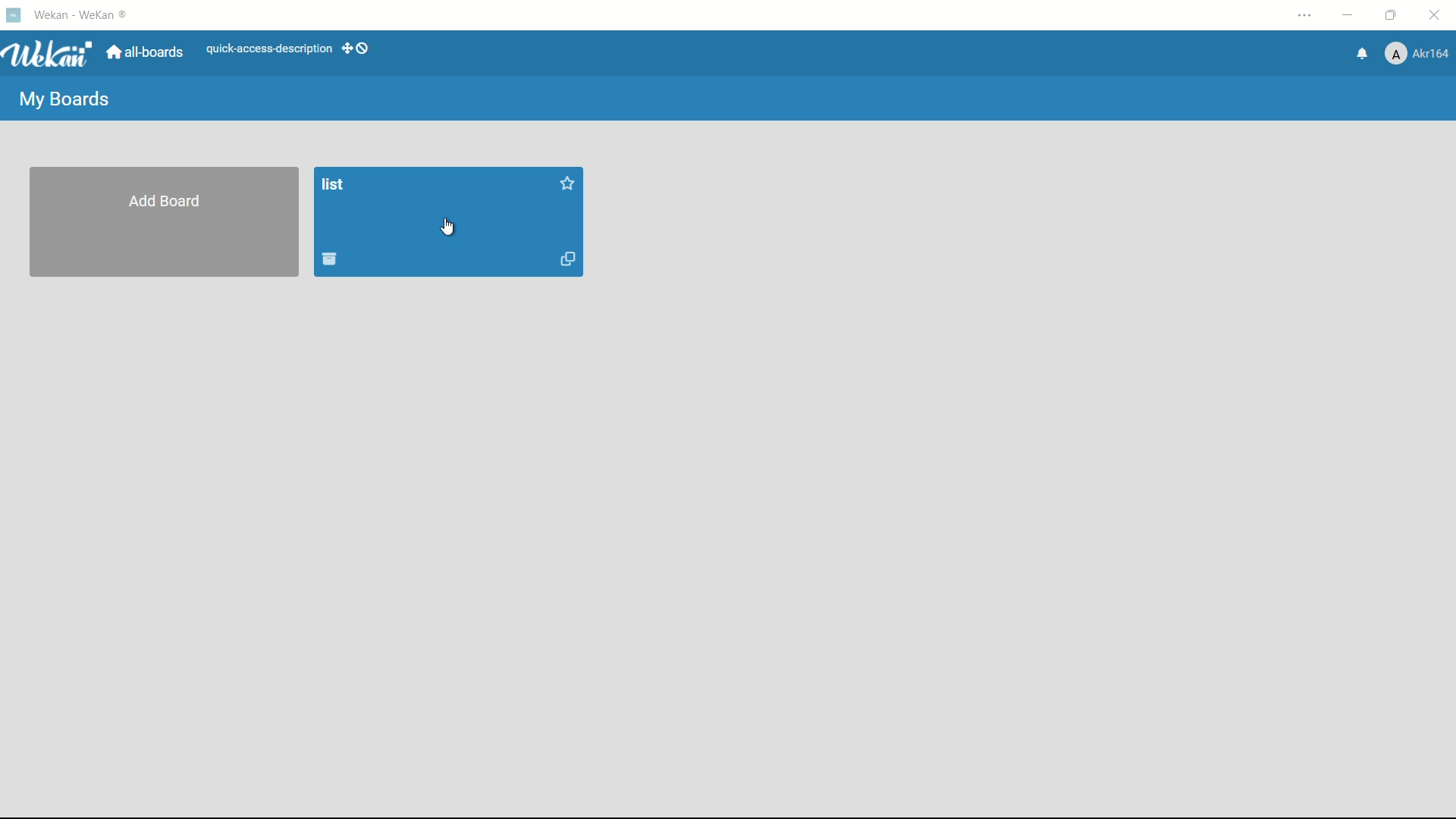 This screenshot has height=819, width=1456. Describe the element at coordinates (1348, 17) in the screenshot. I see `minimize` at that location.